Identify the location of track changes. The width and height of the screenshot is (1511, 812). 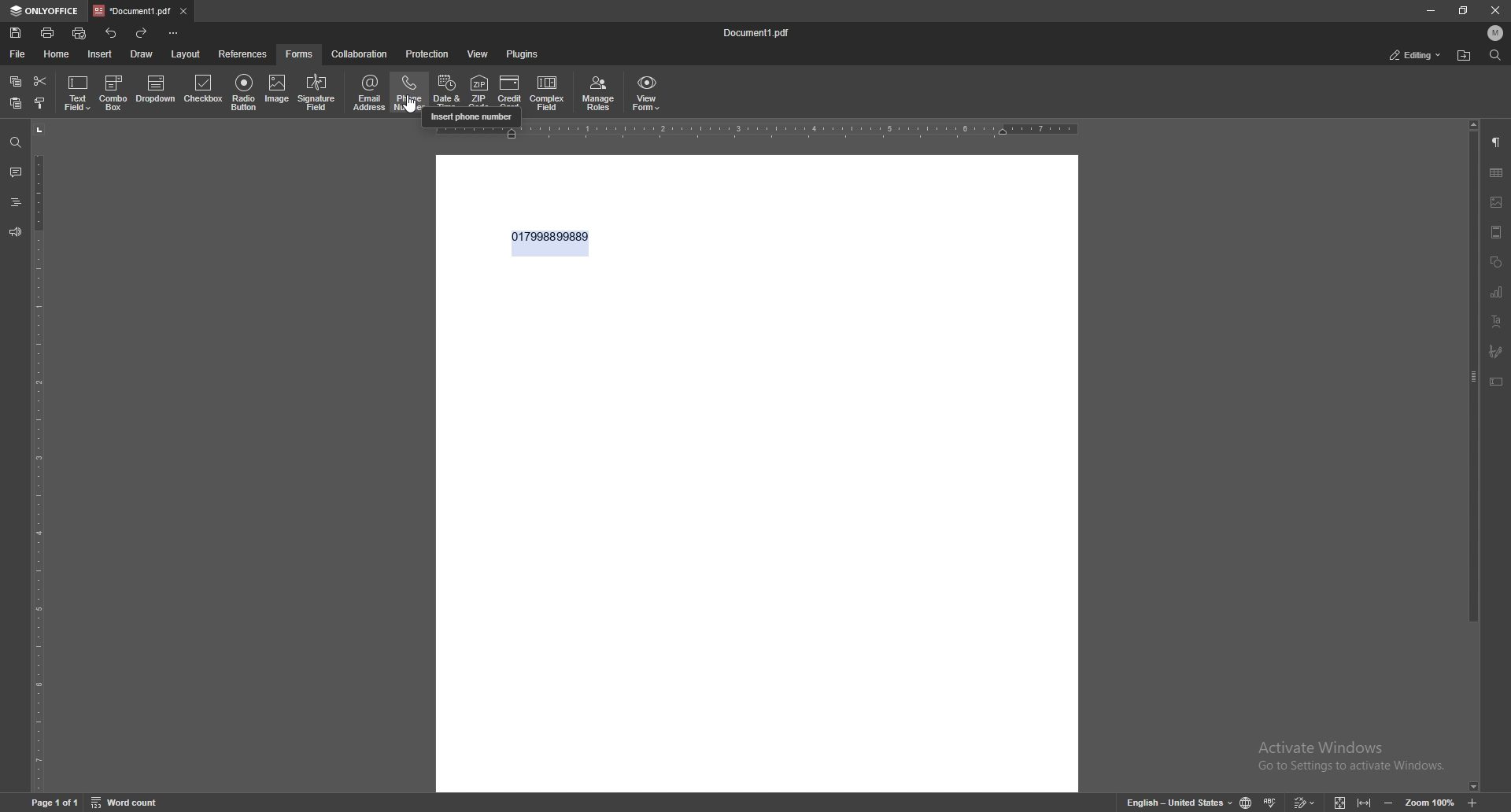
(1306, 803).